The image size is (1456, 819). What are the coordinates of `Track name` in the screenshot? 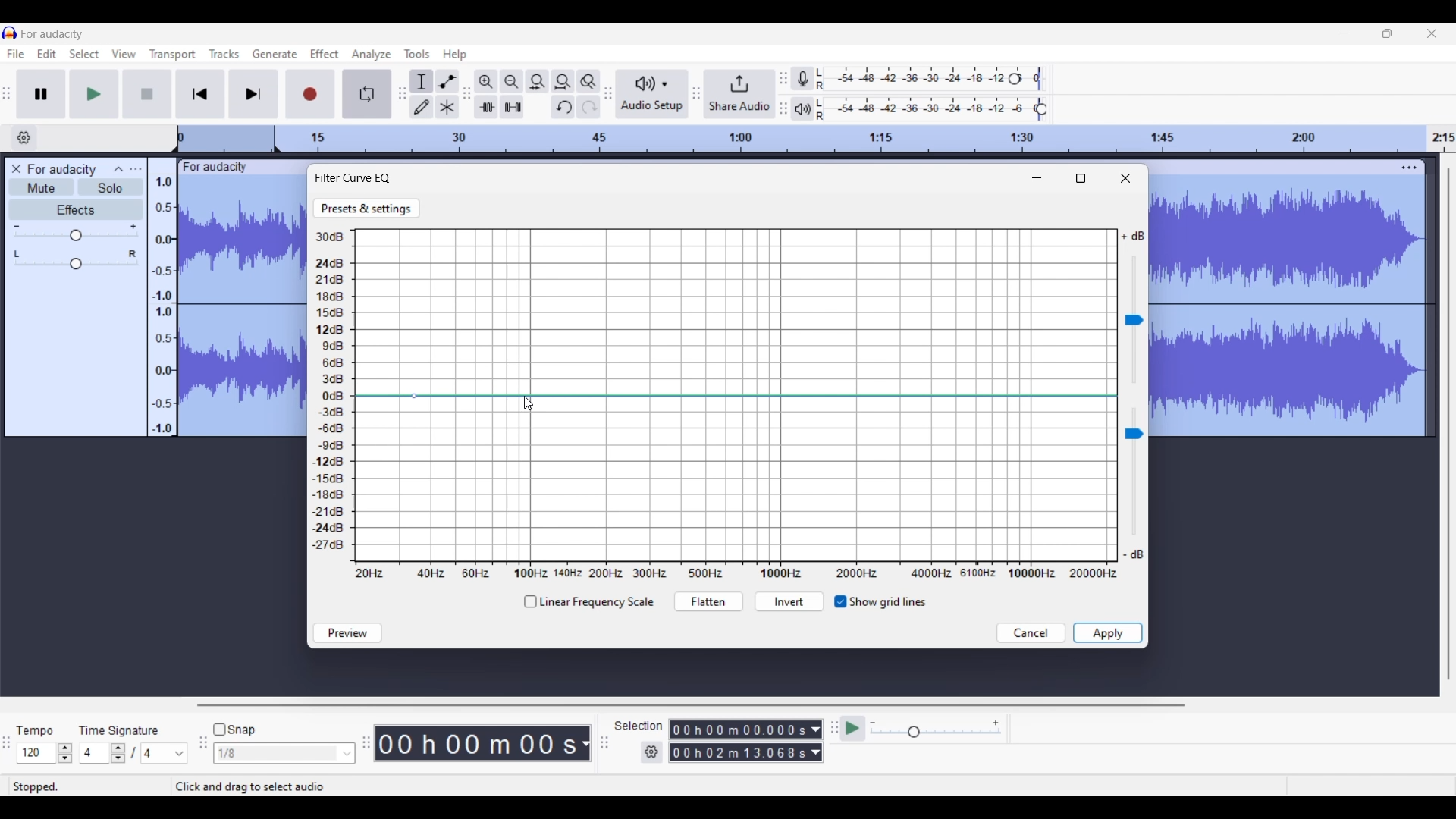 It's located at (215, 168).